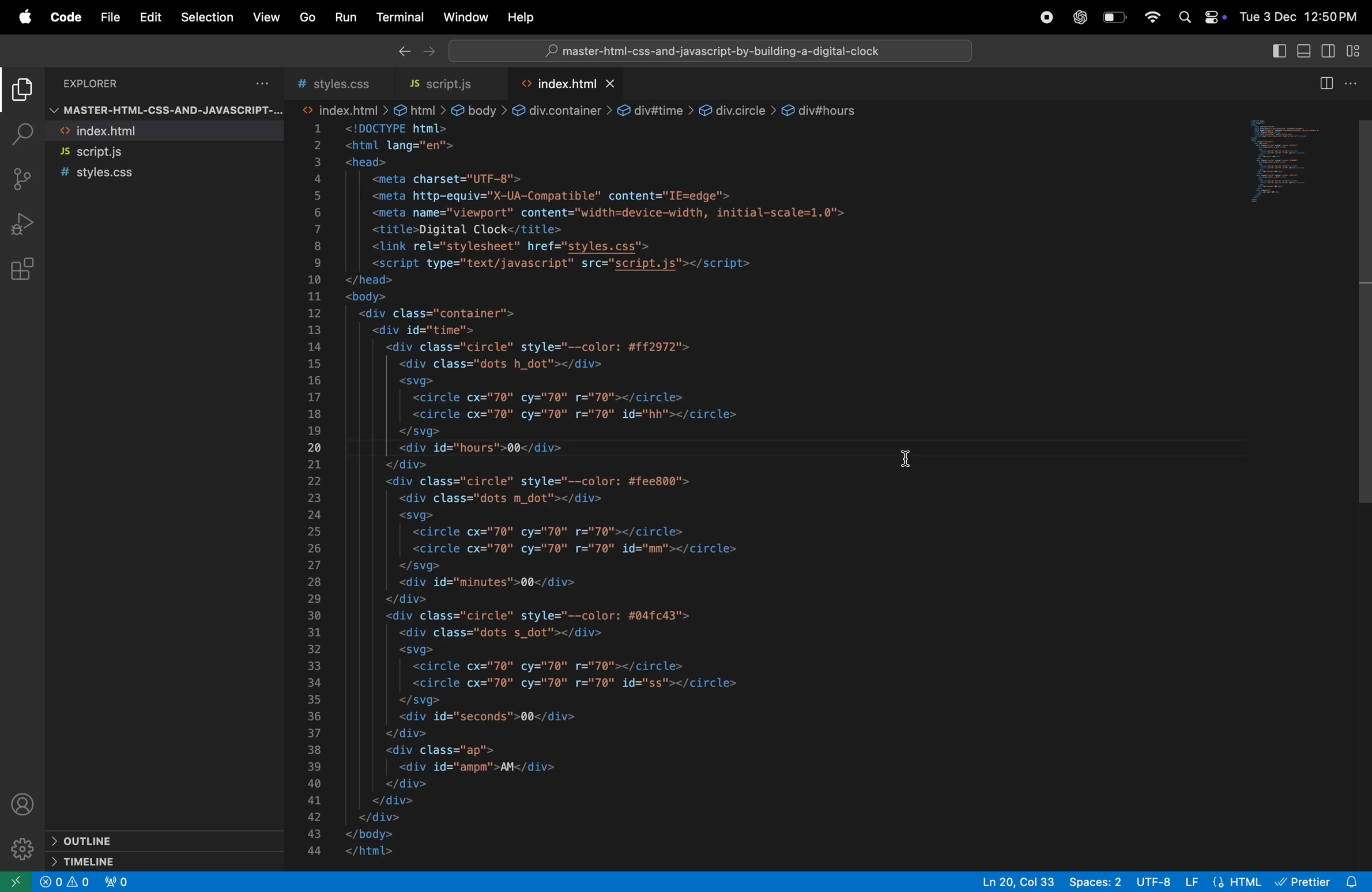 The height and width of the screenshot is (892, 1372). What do you see at coordinates (573, 85) in the screenshot?
I see `index.html` at bounding box center [573, 85].